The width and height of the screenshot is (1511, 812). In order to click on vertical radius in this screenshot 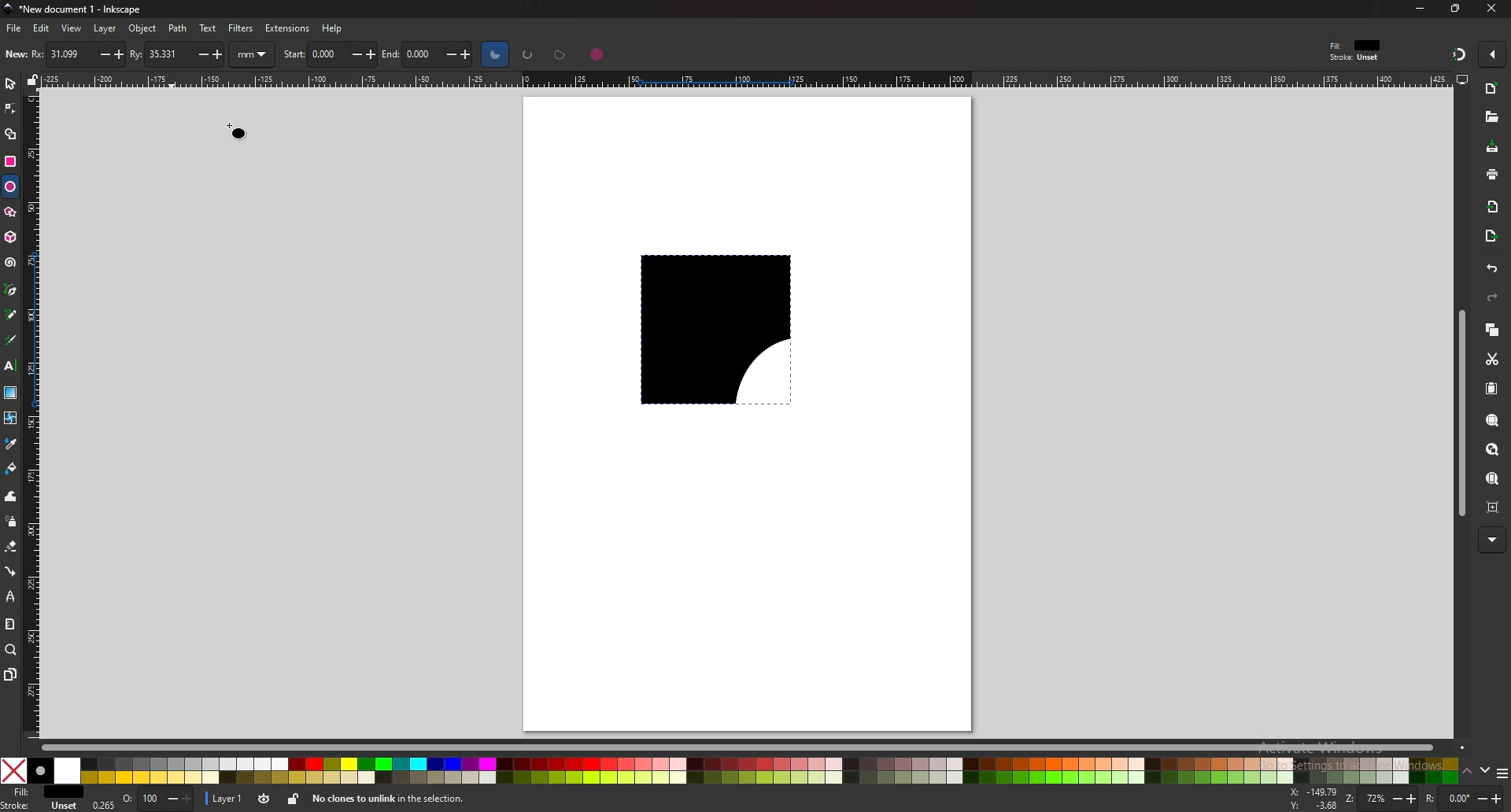, I will do `click(176, 53)`.